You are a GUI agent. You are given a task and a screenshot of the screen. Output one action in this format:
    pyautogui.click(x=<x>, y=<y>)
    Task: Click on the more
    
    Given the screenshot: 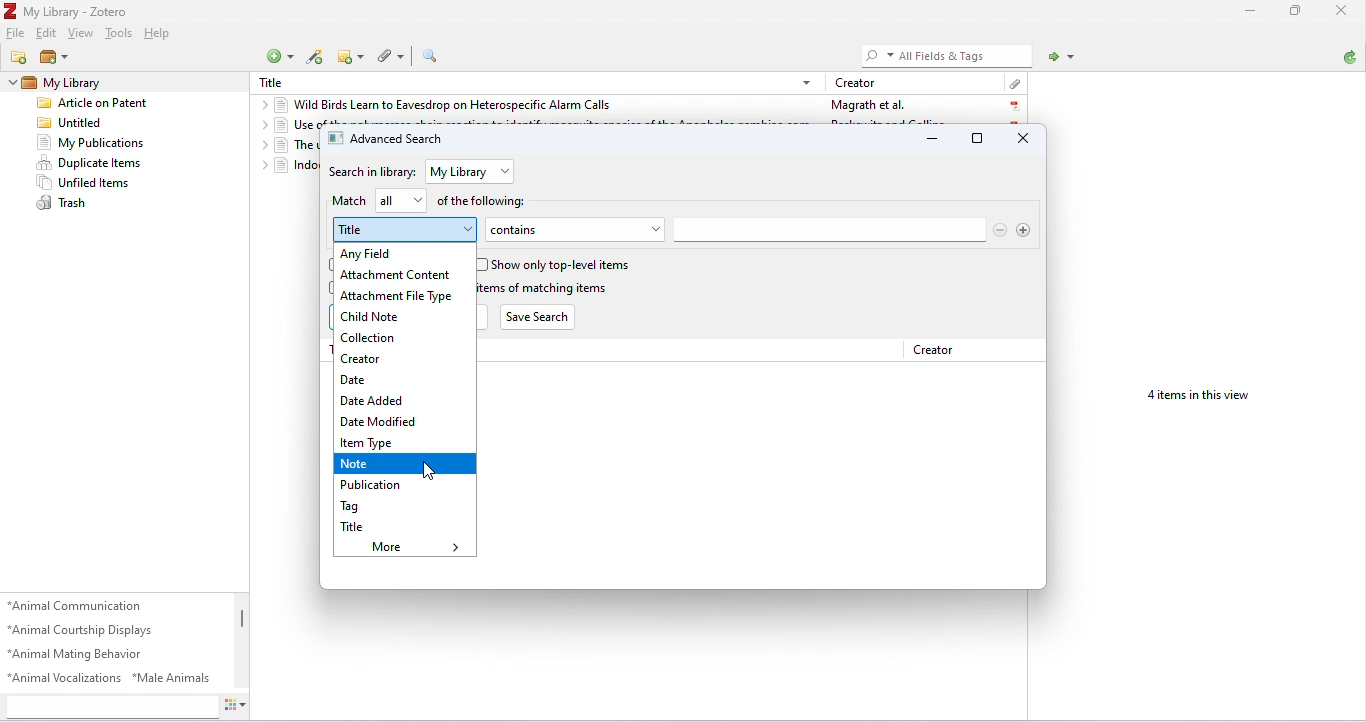 What is the action you would take?
    pyautogui.click(x=419, y=546)
    